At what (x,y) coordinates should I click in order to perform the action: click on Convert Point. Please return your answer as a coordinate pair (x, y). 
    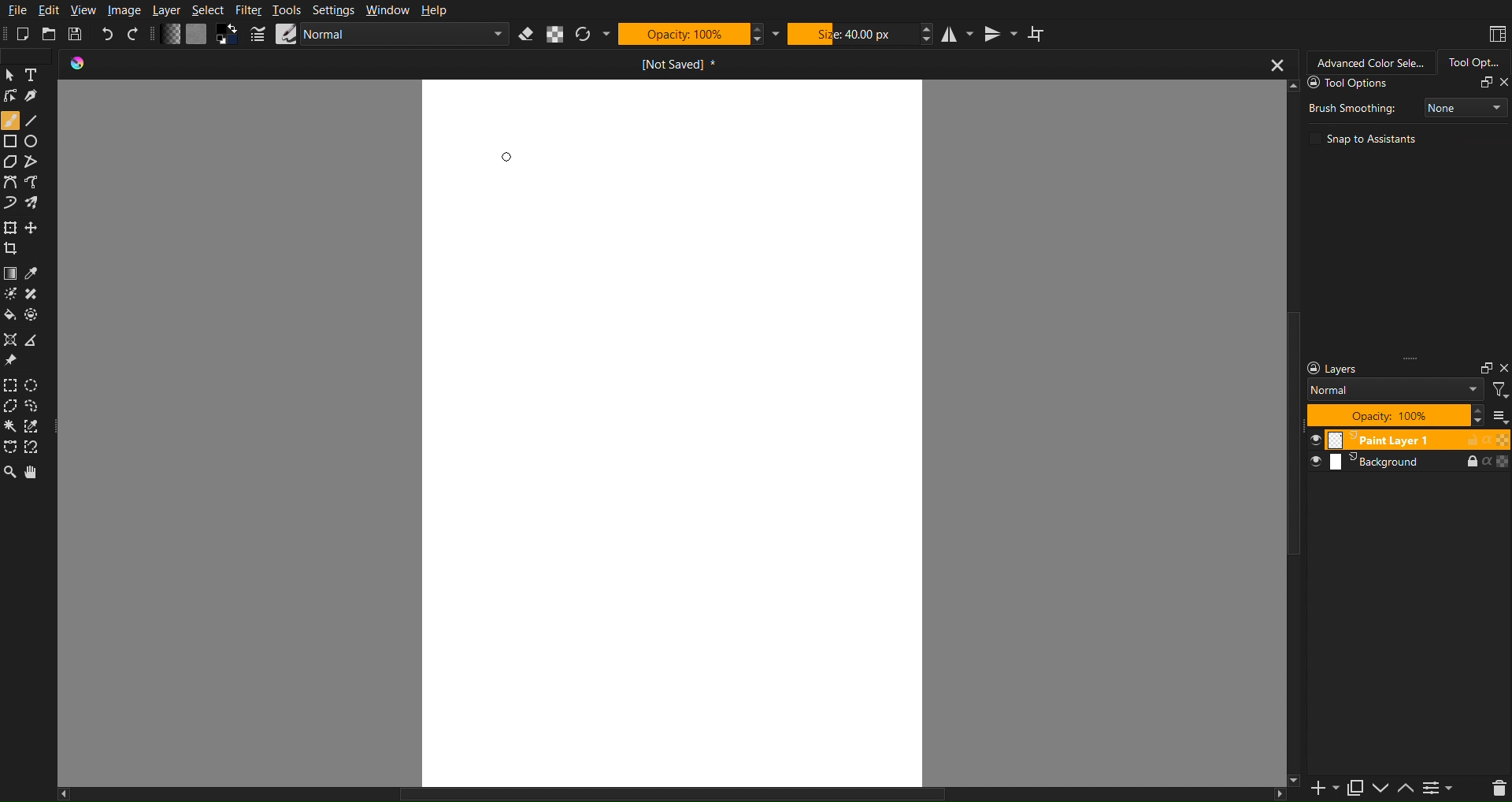
    Looking at the image, I should click on (38, 340).